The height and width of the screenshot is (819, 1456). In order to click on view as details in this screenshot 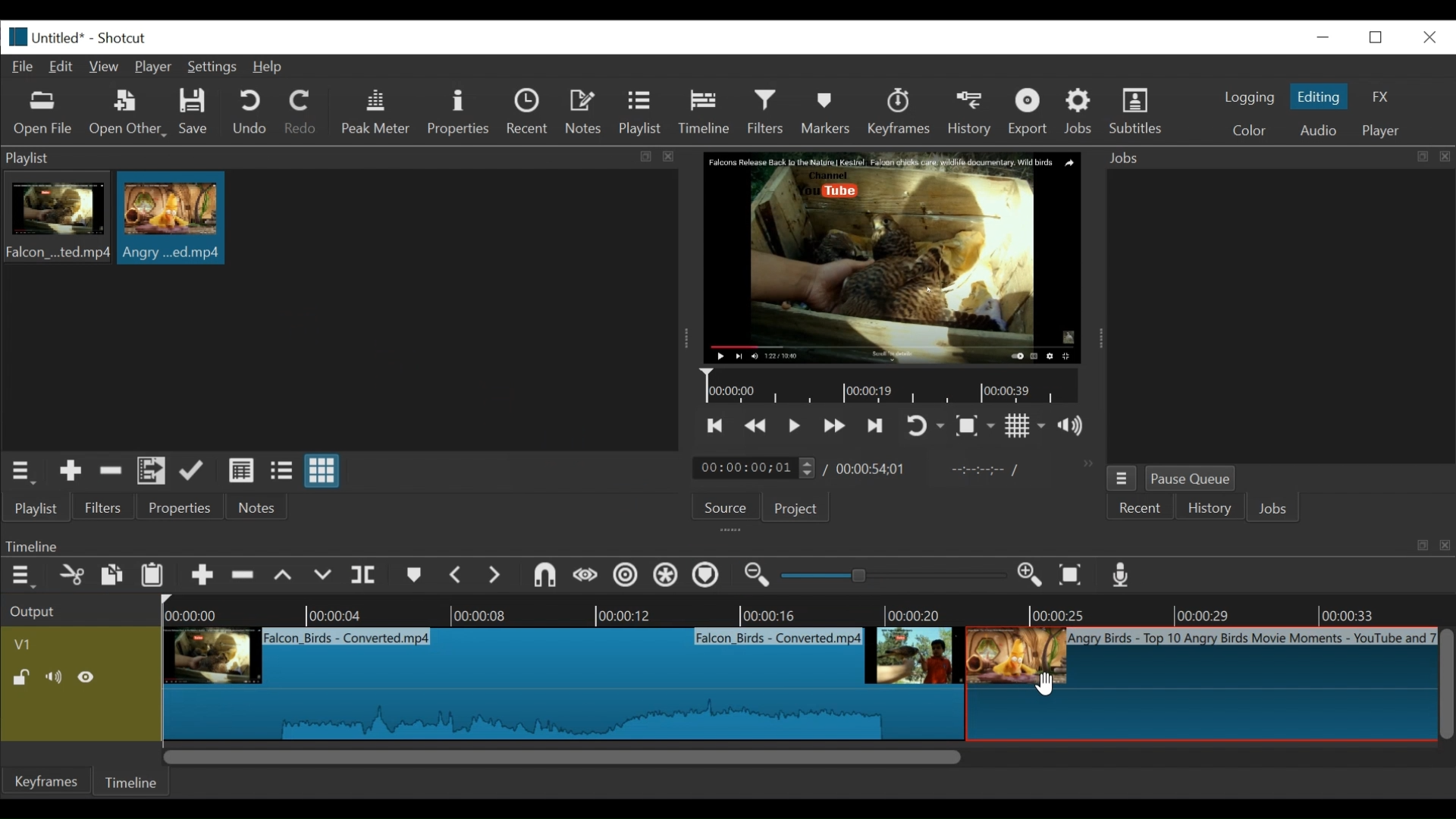, I will do `click(242, 470)`.